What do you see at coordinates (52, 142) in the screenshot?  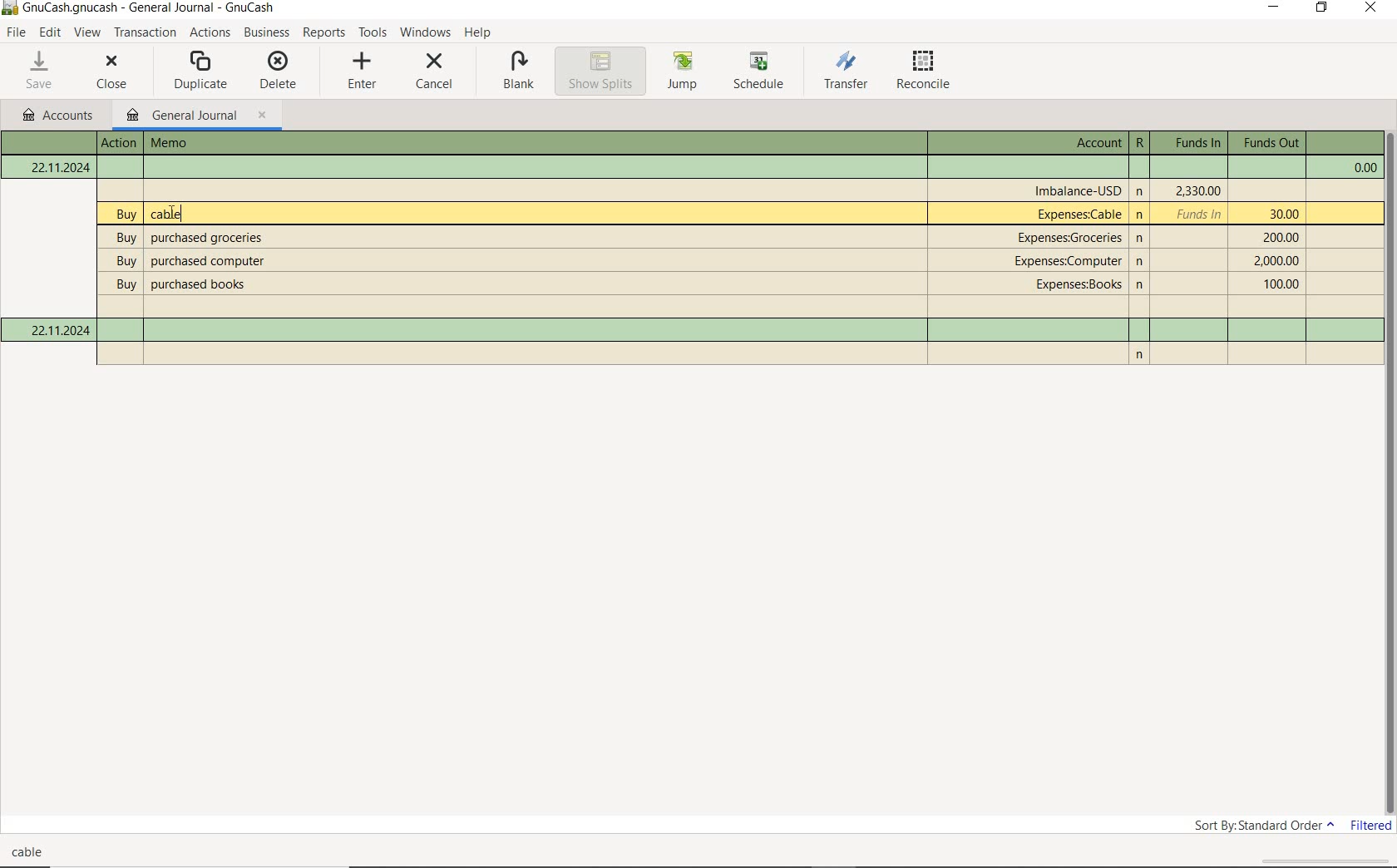 I see `Text` at bounding box center [52, 142].